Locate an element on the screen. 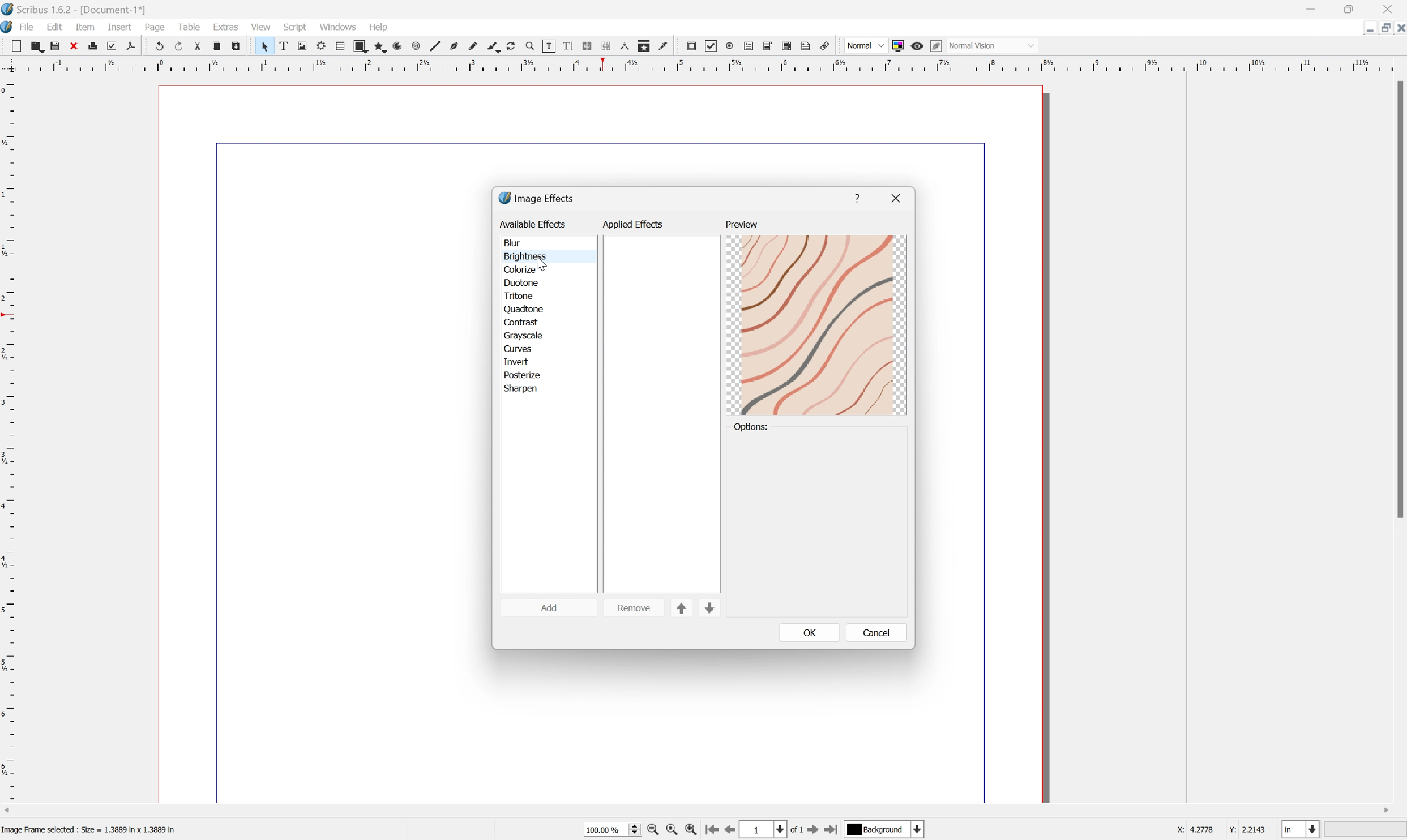 The width and height of the screenshot is (1407, 840). Zoom to 100% is located at coordinates (674, 830).